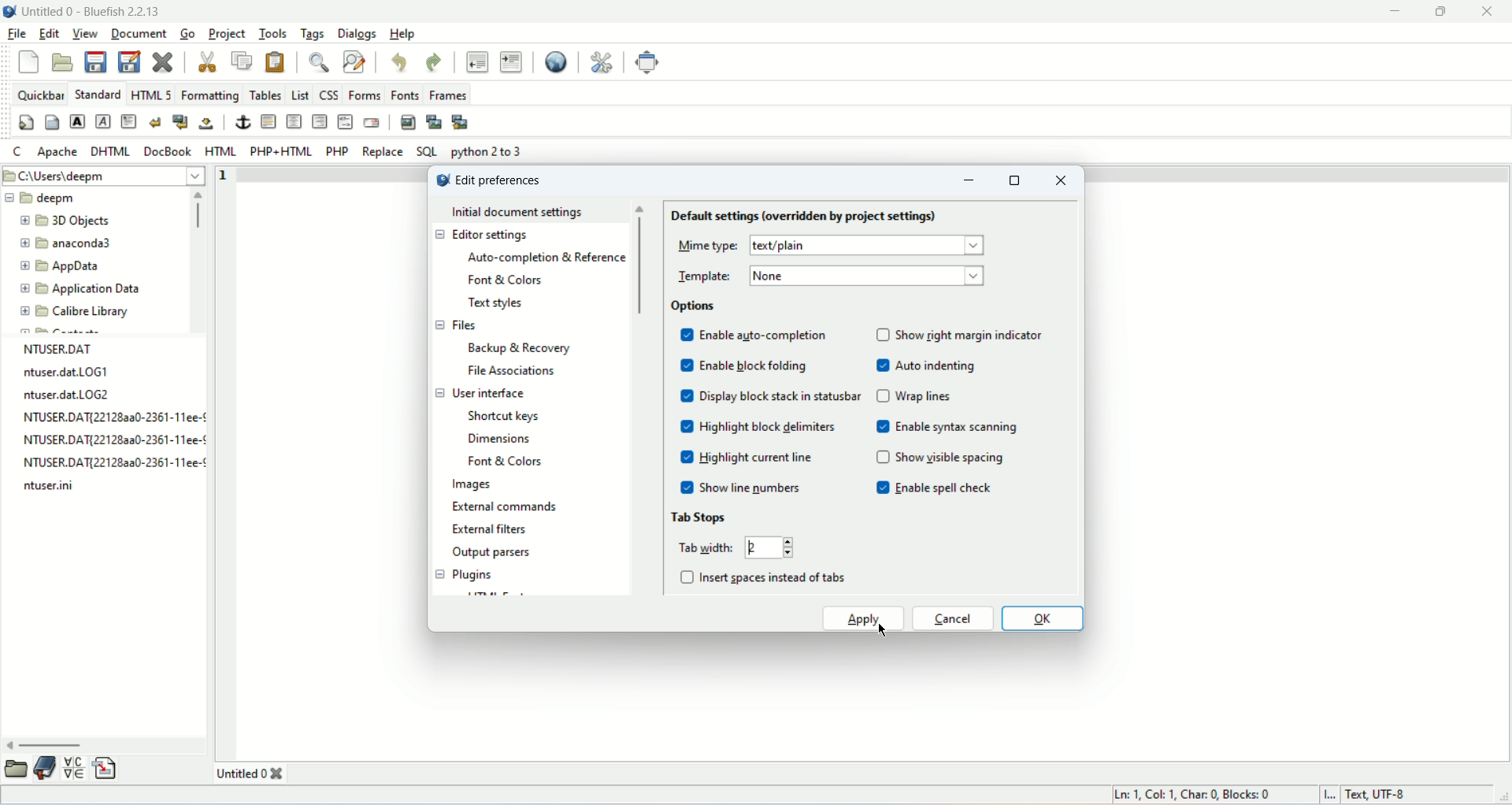  Describe the element at coordinates (301, 93) in the screenshot. I see `list` at that location.